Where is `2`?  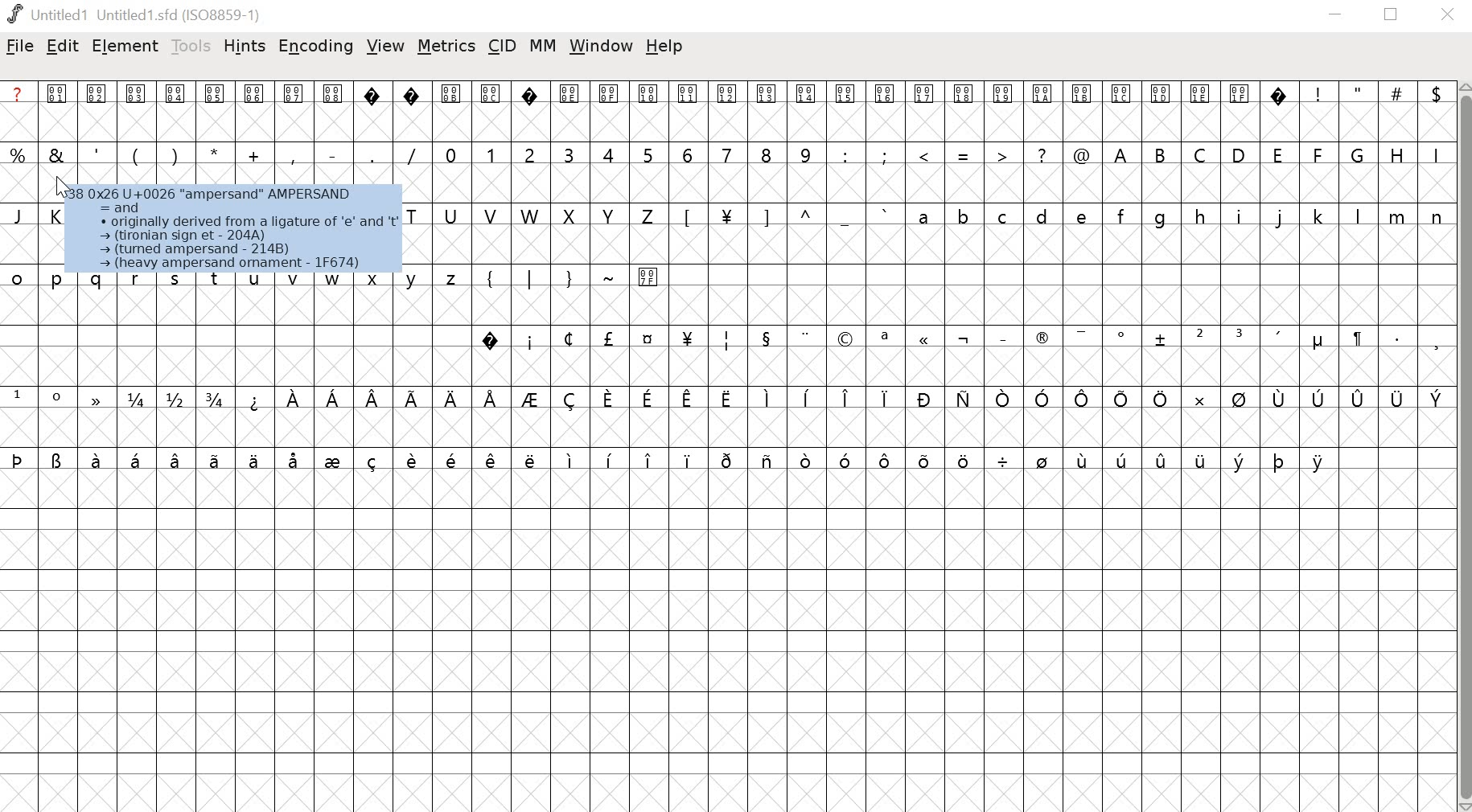 2 is located at coordinates (529, 153).